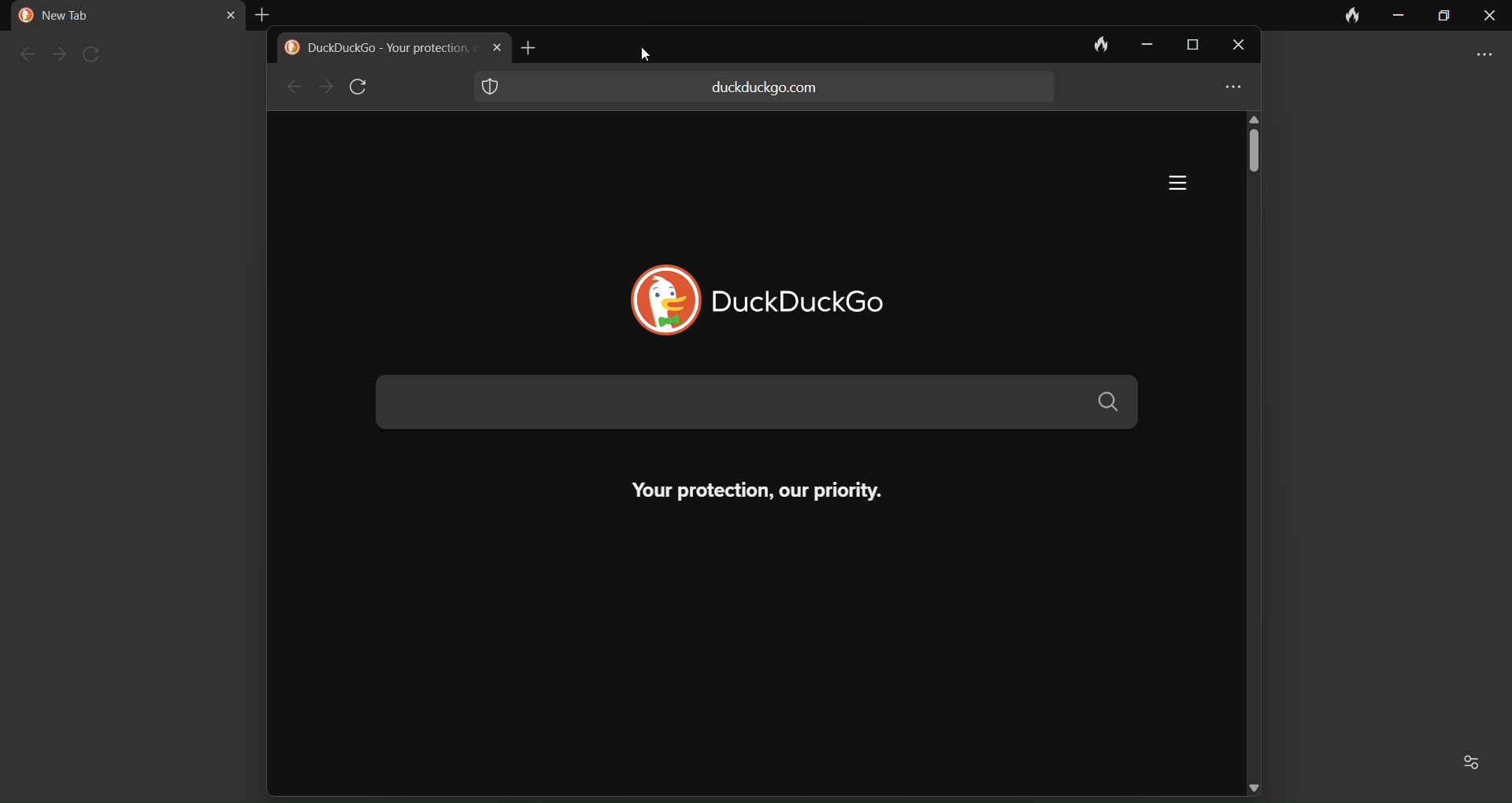 This screenshot has width=1512, height=803. Describe the element at coordinates (1255, 165) in the screenshot. I see `scrollbar` at that location.